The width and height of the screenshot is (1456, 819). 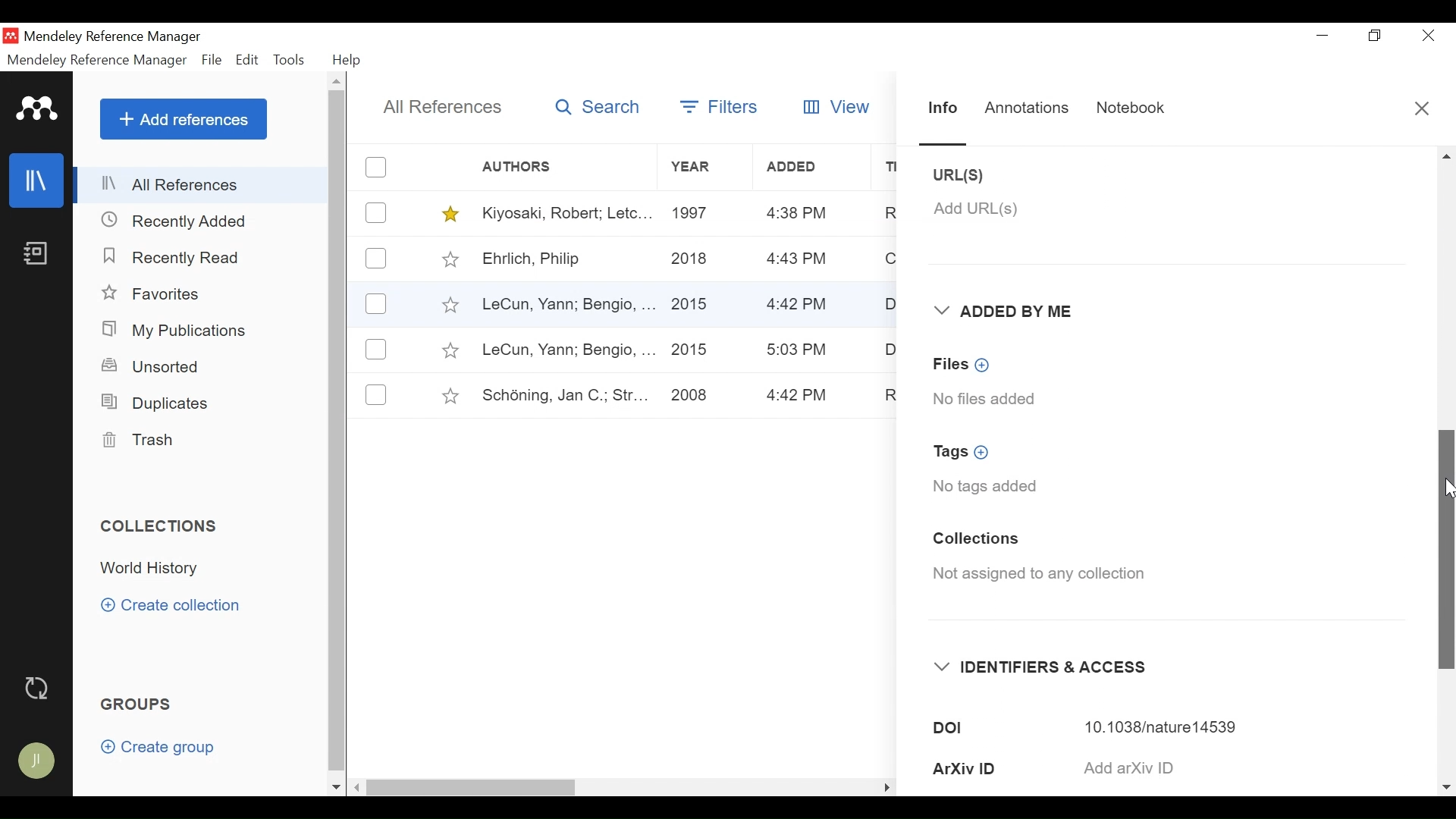 I want to click on All References, so click(x=202, y=184).